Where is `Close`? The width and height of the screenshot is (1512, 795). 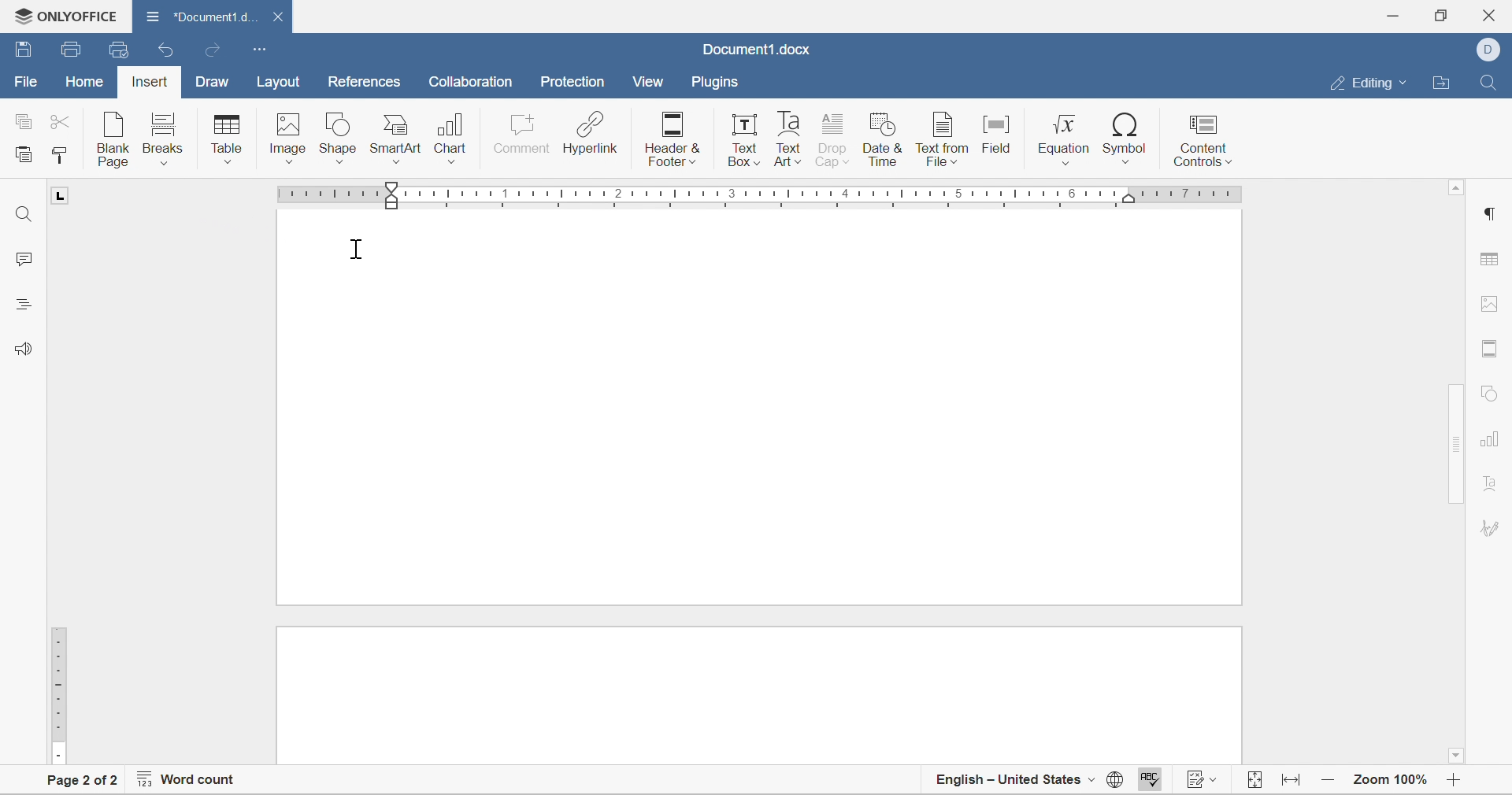 Close is located at coordinates (1494, 13).